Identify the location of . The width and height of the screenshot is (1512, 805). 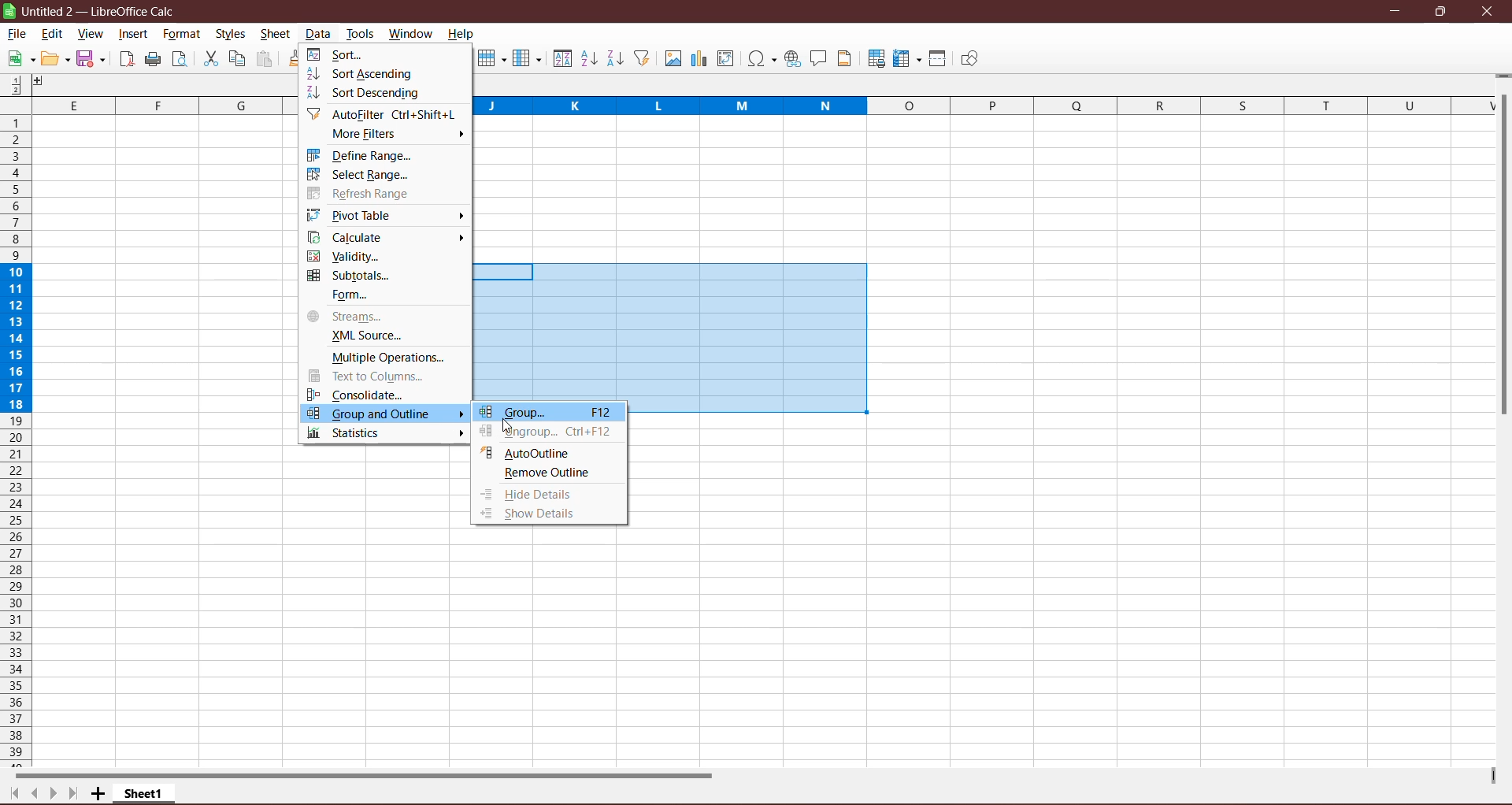
(45, 83).